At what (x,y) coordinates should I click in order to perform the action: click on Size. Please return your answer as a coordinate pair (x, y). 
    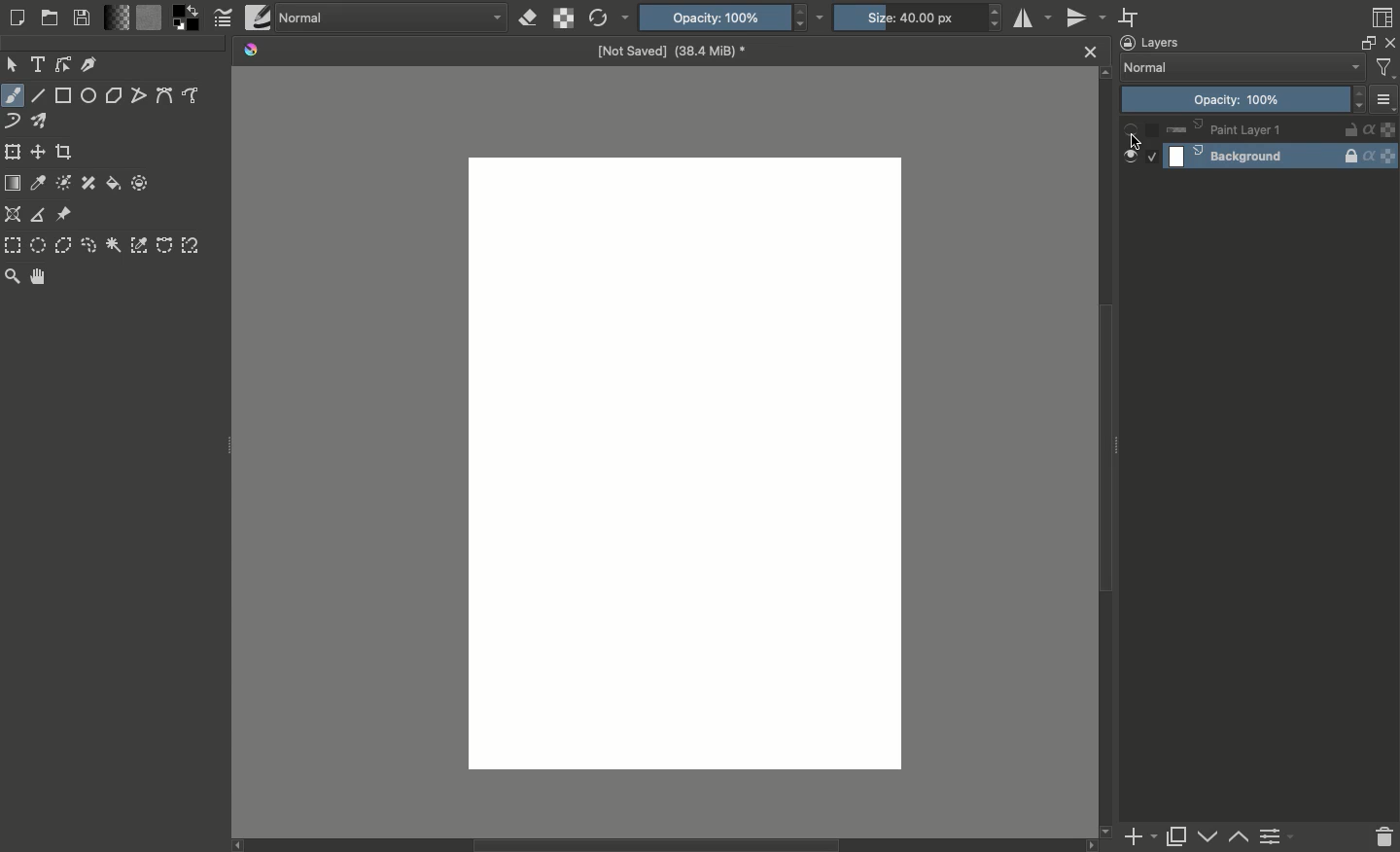
    Looking at the image, I should click on (910, 17).